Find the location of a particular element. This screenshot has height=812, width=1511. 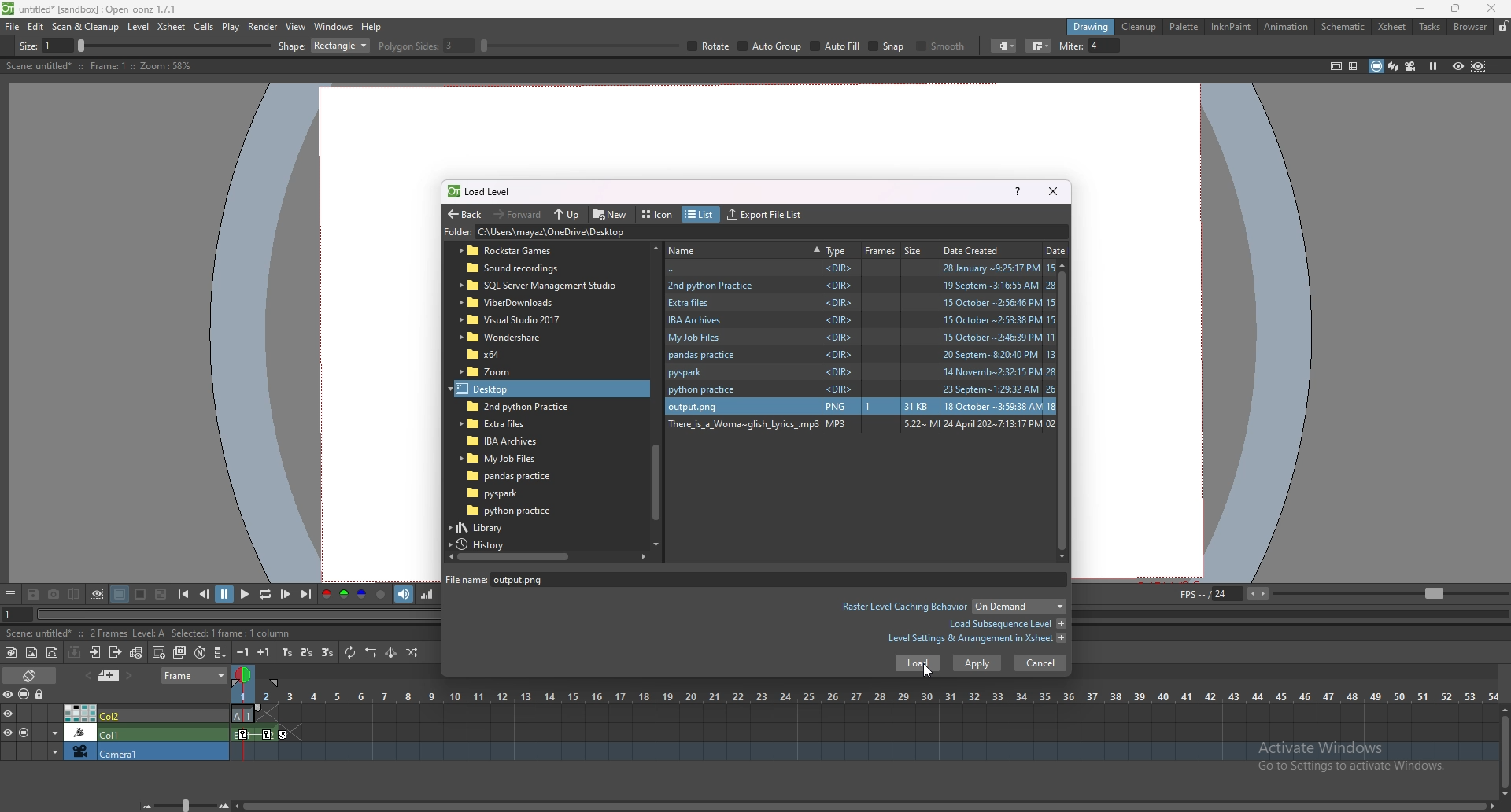

cleanup is located at coordinates (1139, 27).